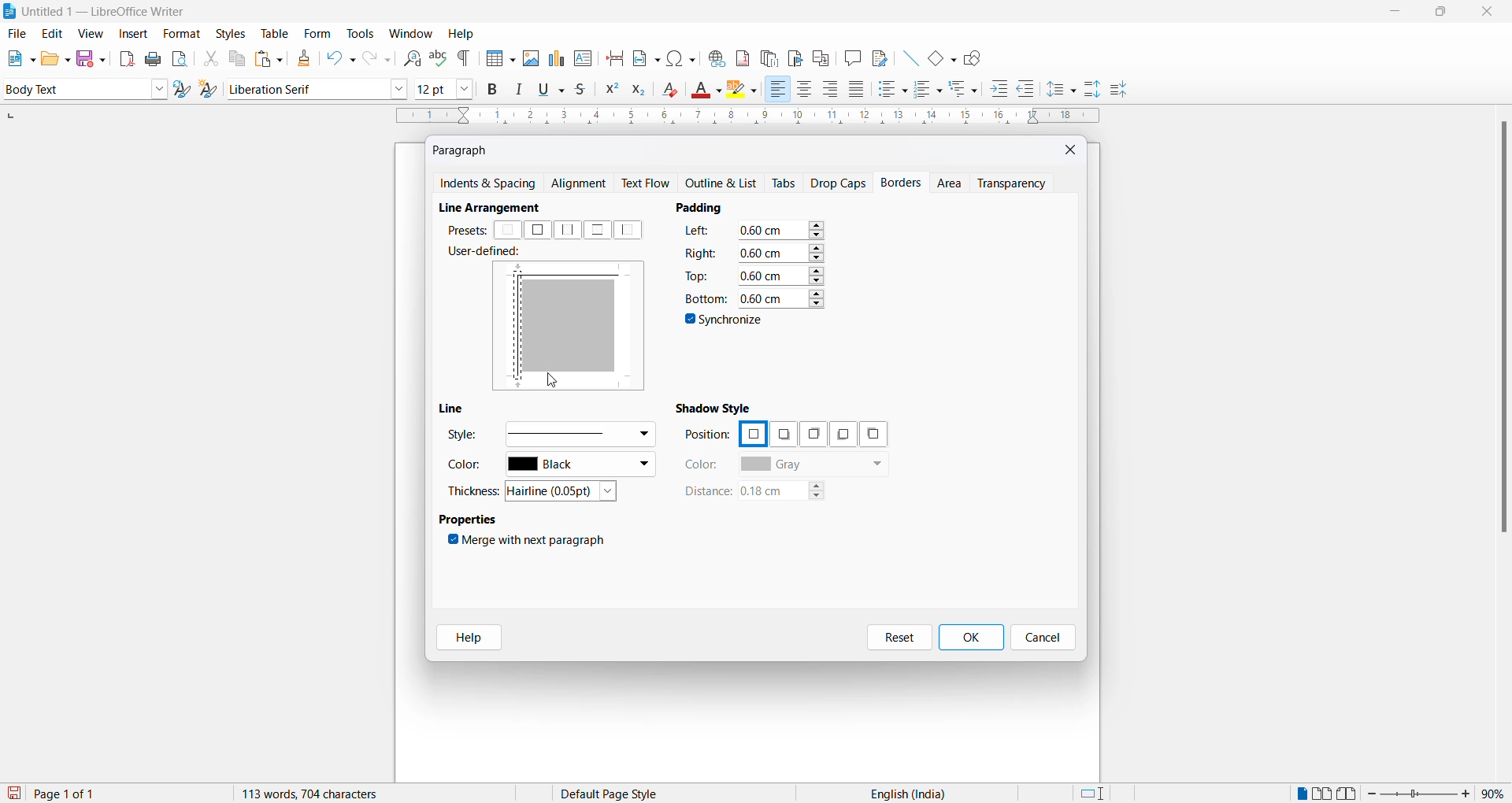 The image size is (1512, 803). I want to click on cut, so click(210, 58).